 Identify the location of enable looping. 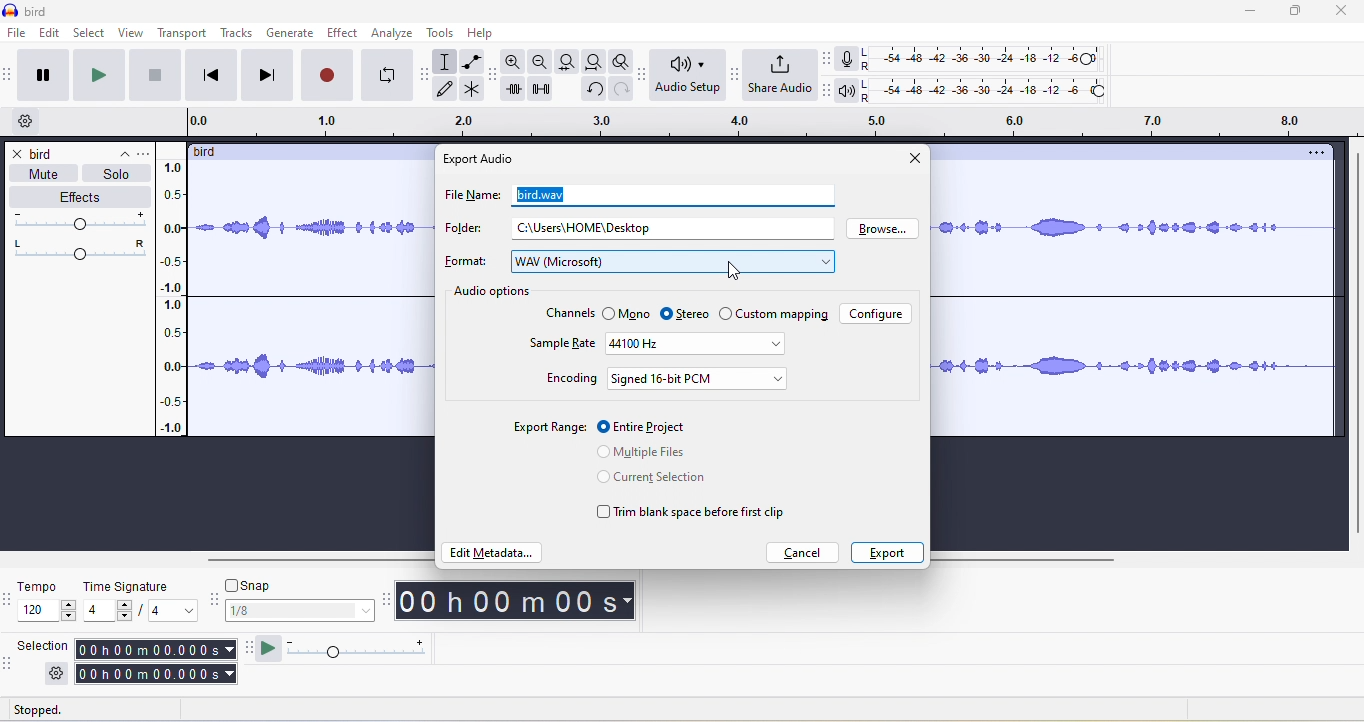
(387, 76).